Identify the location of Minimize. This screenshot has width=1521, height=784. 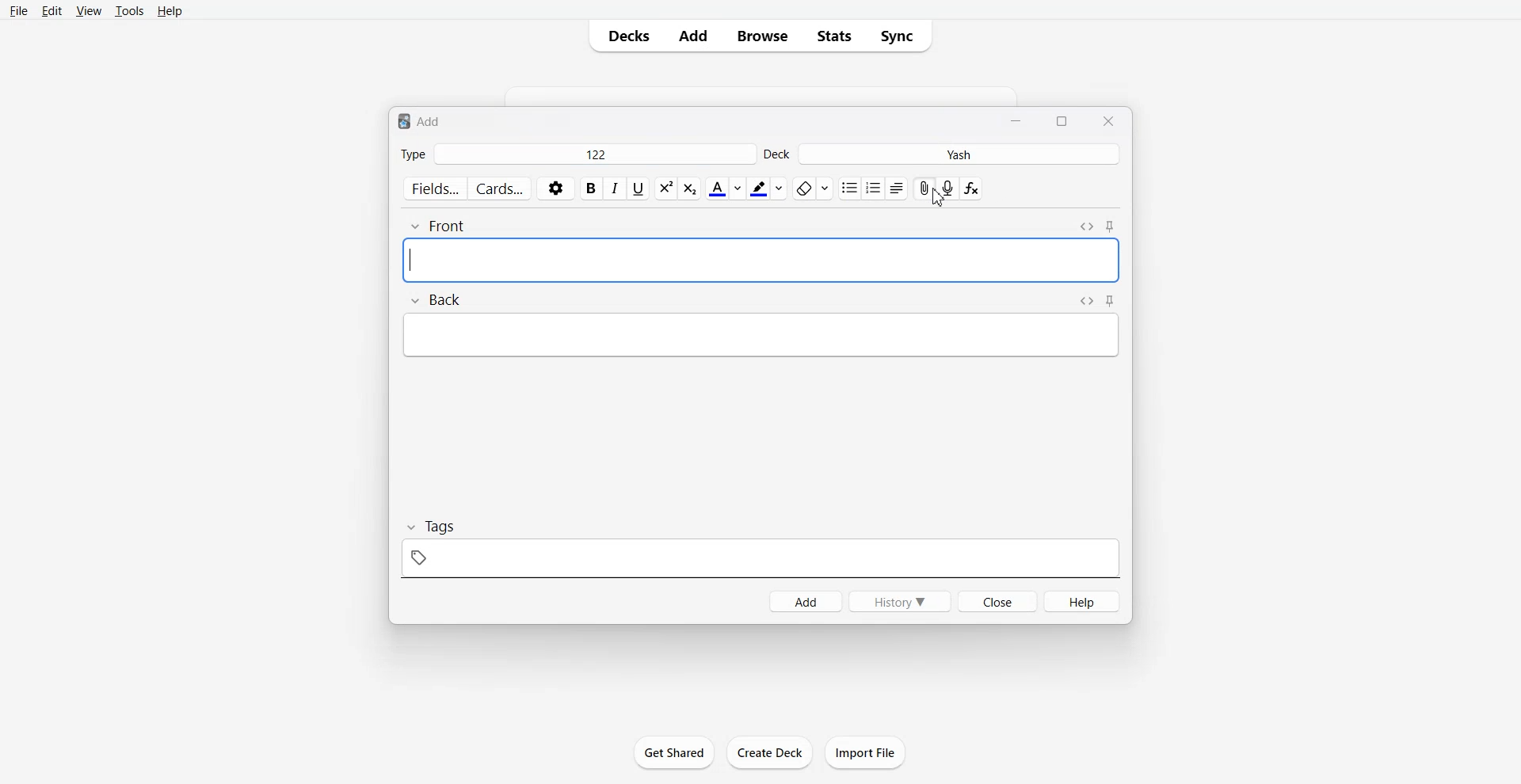
(1018, 120).